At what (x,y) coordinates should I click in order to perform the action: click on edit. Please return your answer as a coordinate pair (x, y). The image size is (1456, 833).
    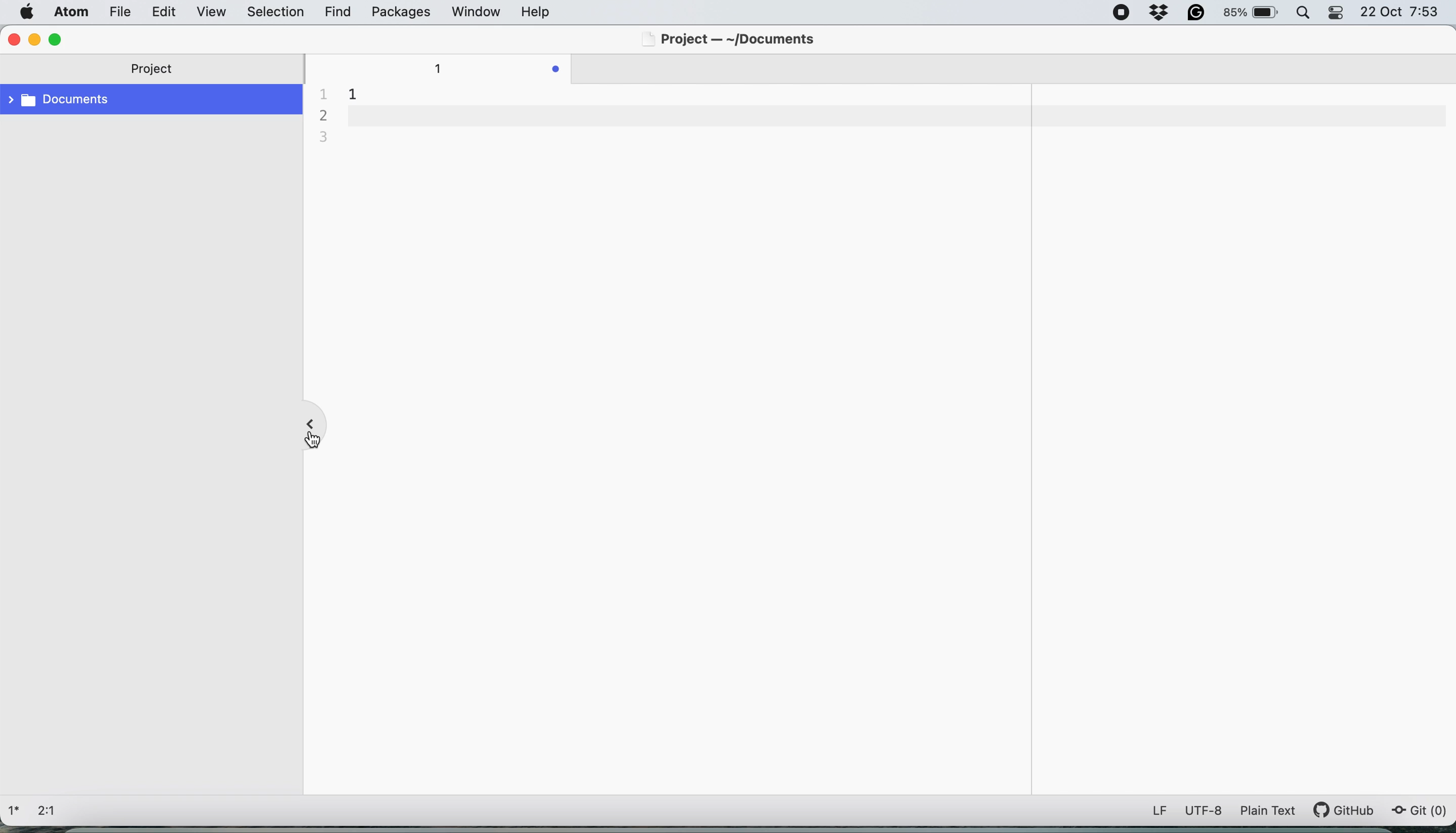
    Looking at the image, I should click on (164, 13).